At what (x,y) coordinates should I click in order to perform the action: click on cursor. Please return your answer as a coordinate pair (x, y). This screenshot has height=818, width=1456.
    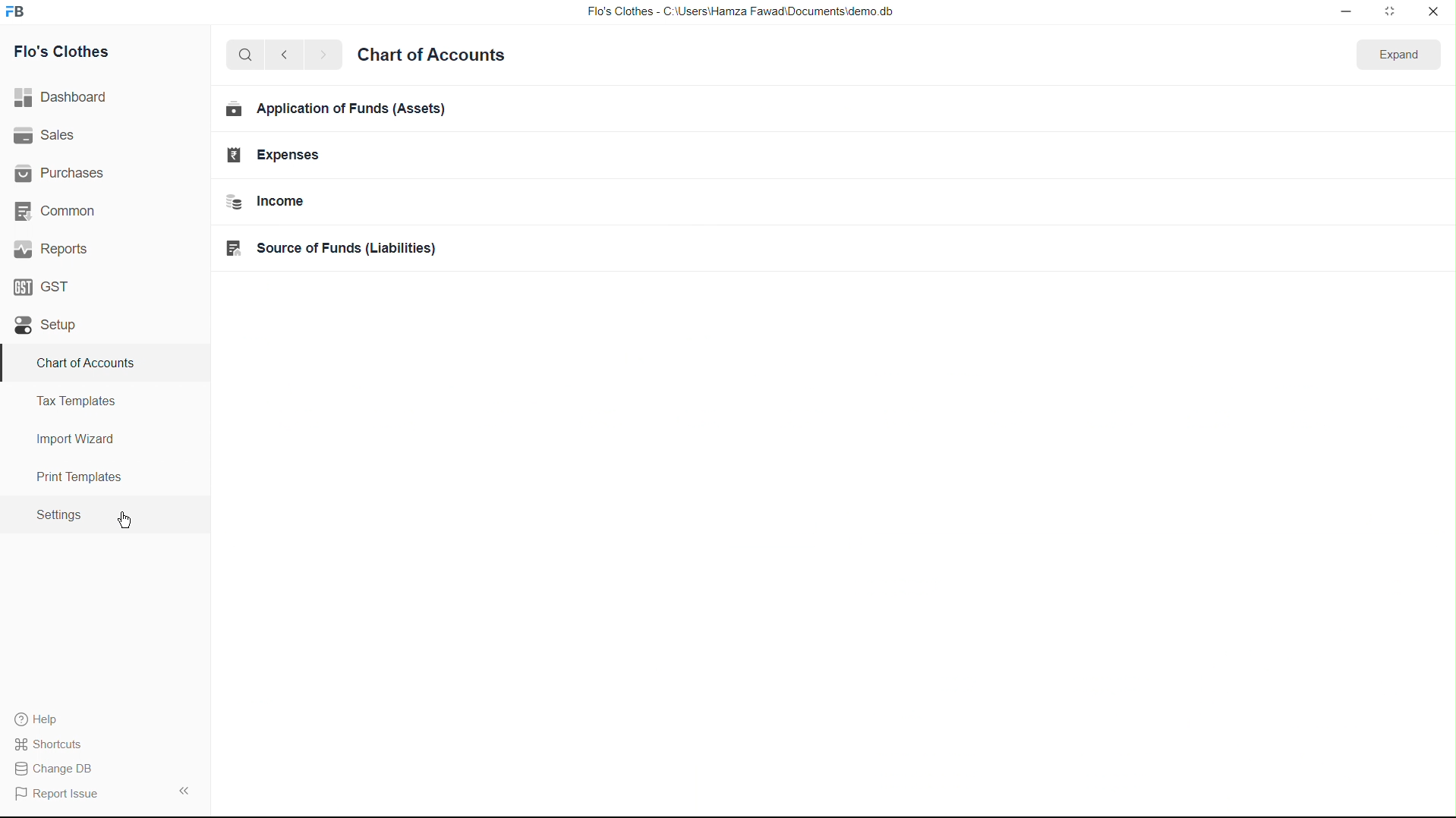
    Looking at the image, I should click on (122, 514).